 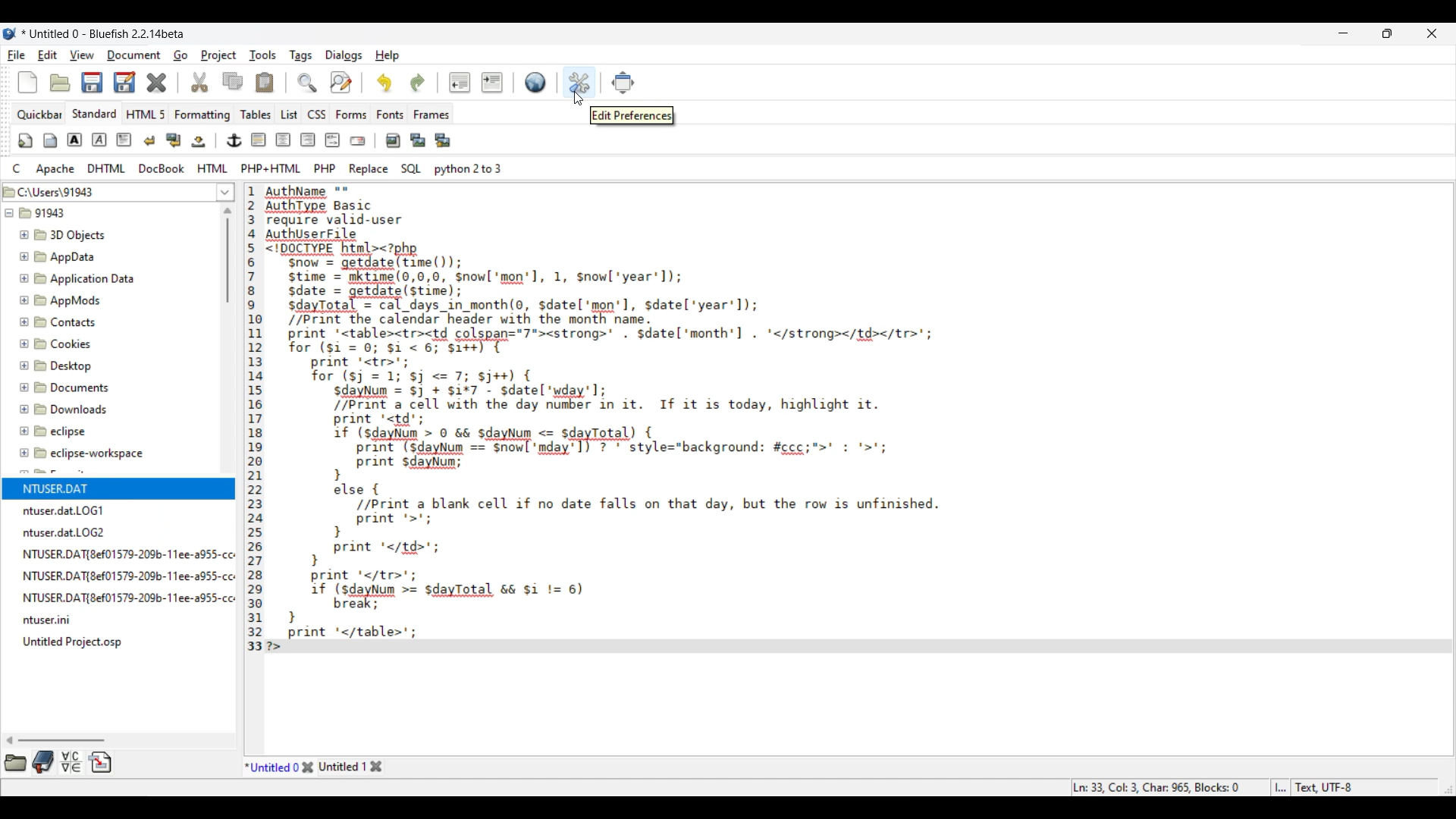 What do you see at coordinates (82, 55) in the screenshot?
I see `View menu` at bounding box center [82, 55].